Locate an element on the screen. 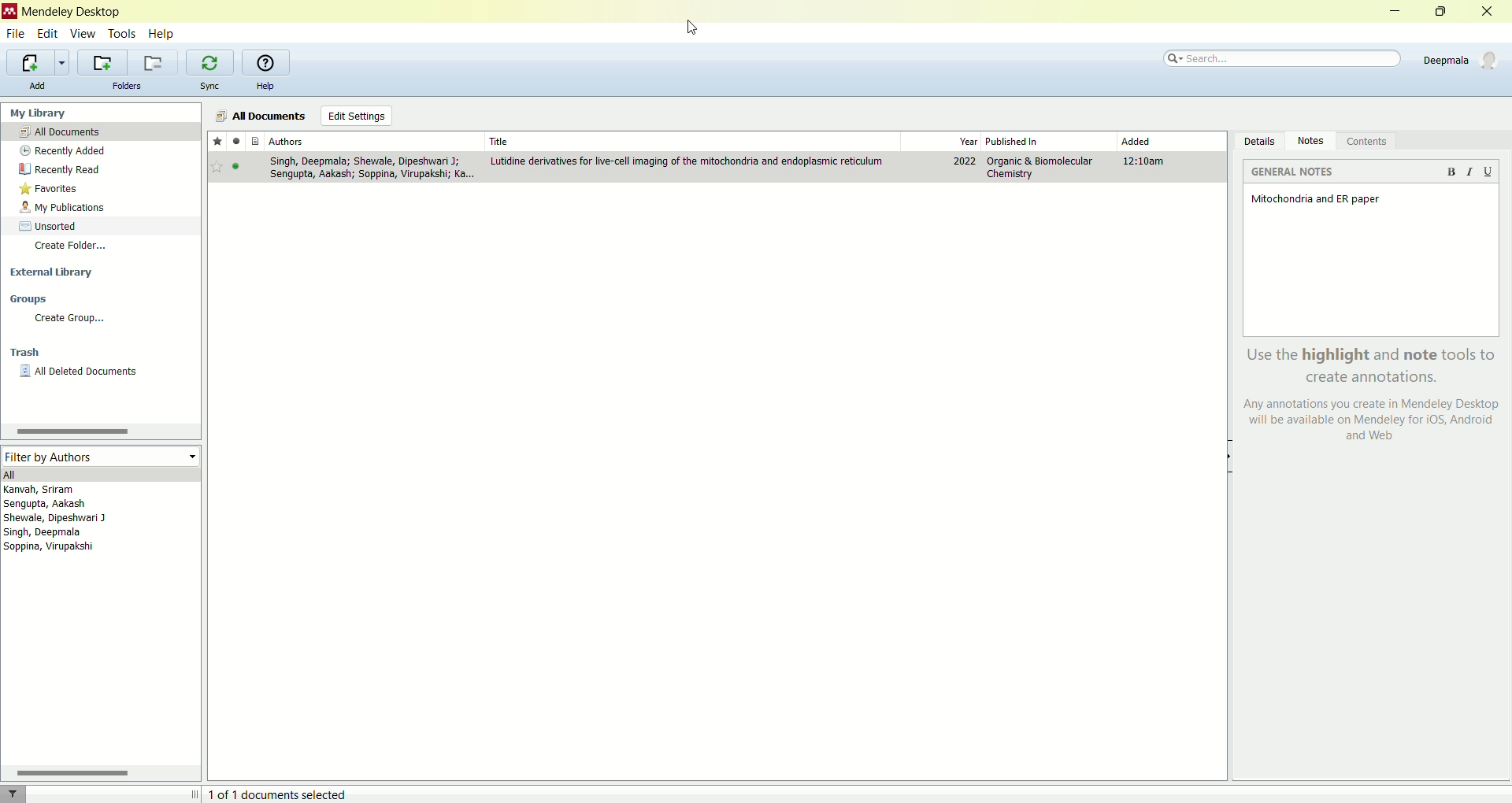  unsorted is located at coordinates (101, 224).